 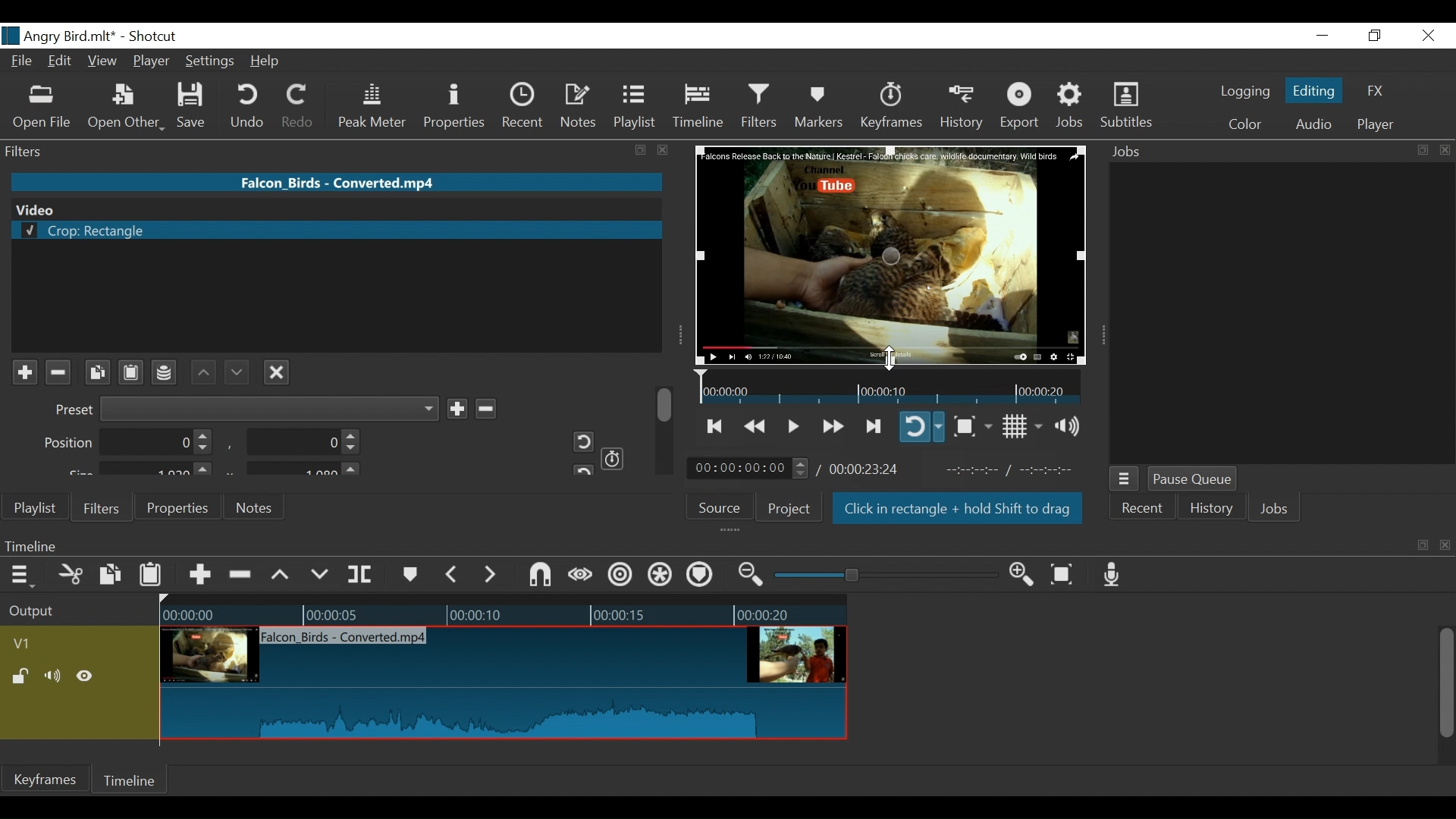 What do you see at coordinates (1316, 89) in the screenshot?
I see `Editing` at bounding box center [1316, 89].